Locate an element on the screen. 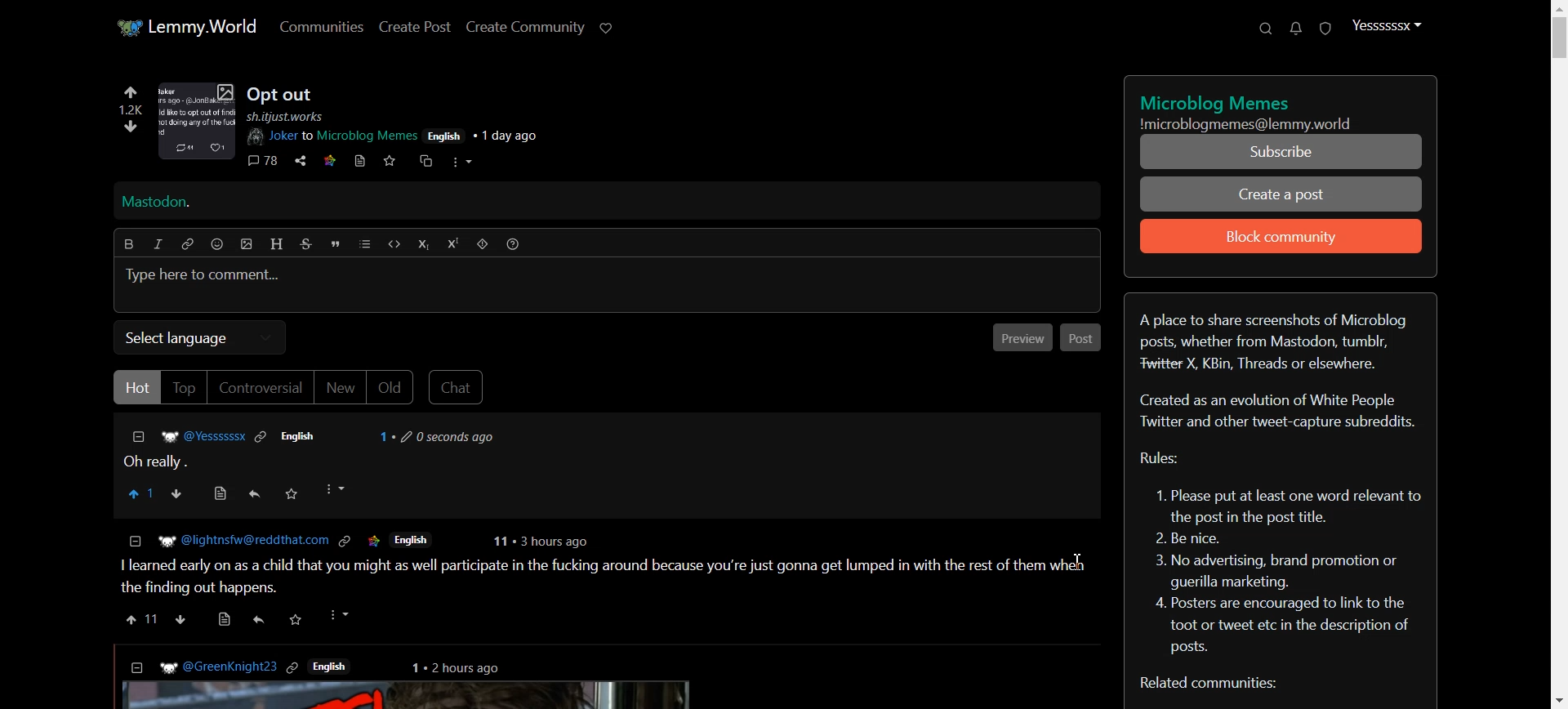  Vertical Scroll bar is located at coordinates (1557, 354).